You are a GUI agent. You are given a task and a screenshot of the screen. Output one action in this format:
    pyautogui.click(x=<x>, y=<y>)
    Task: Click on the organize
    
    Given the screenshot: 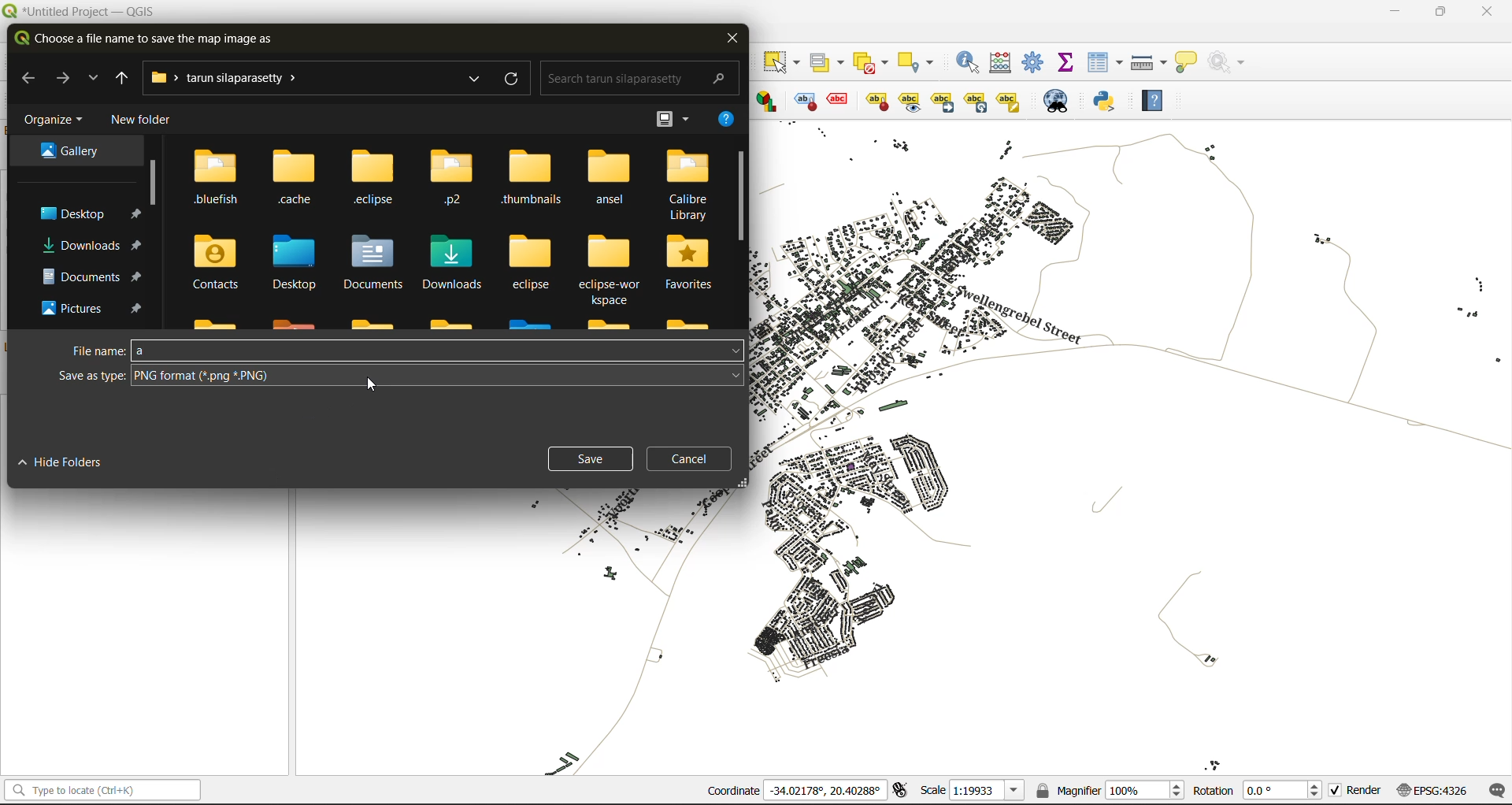 What is the action you would take?
    pyautogui.click(x=55, y=119)
    